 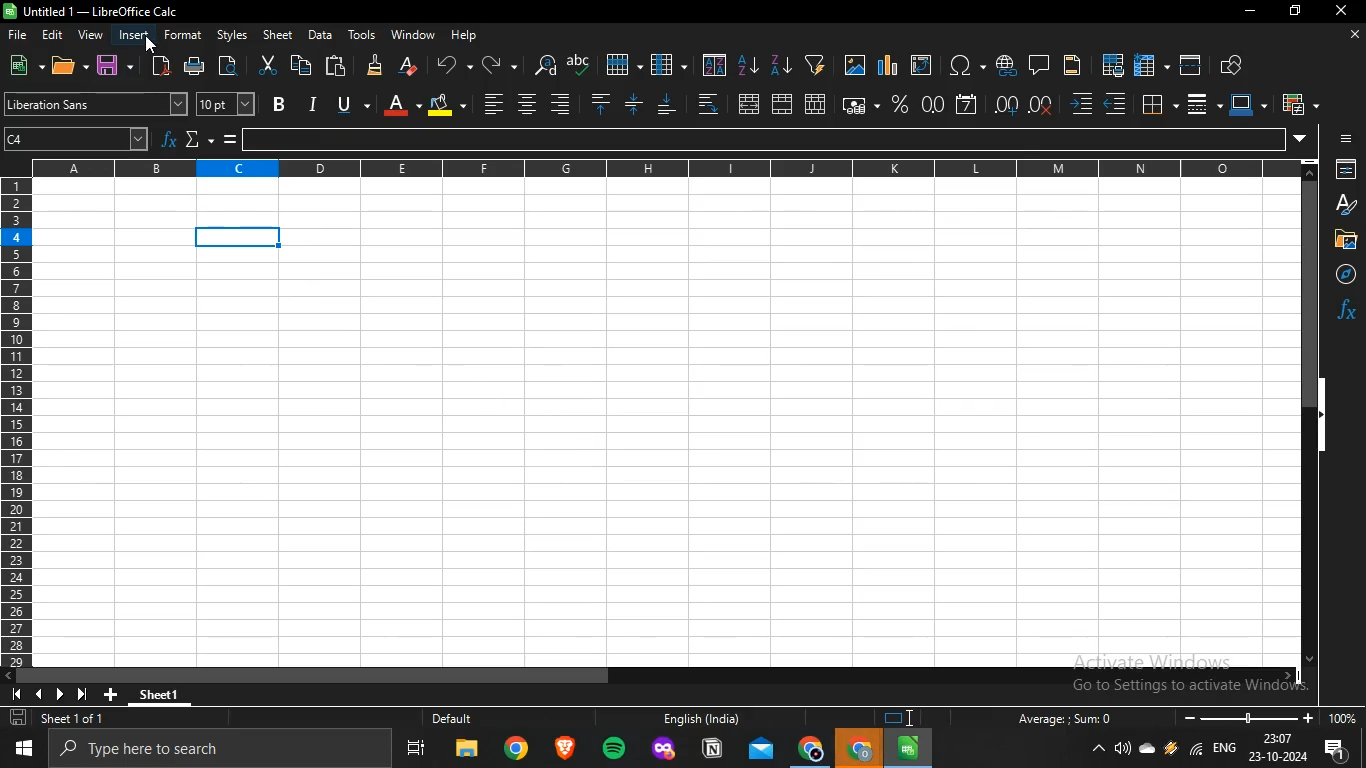 I want to click on winamp agent, so click(x=1171, y=754).